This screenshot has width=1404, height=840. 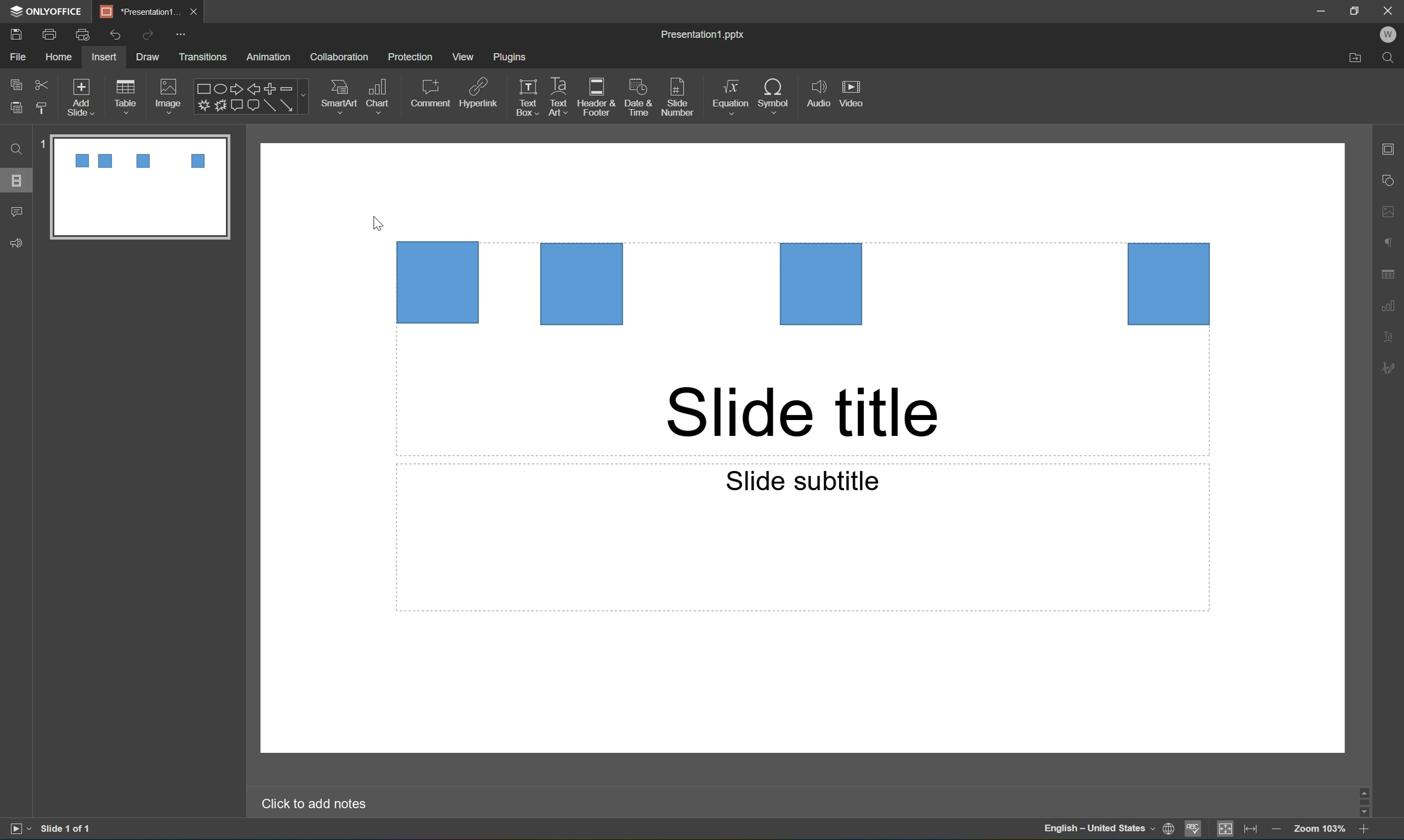 What do you see at coordinates (145, 57) in the screenshot?
I see `draw` at bounding box center [145, 57].